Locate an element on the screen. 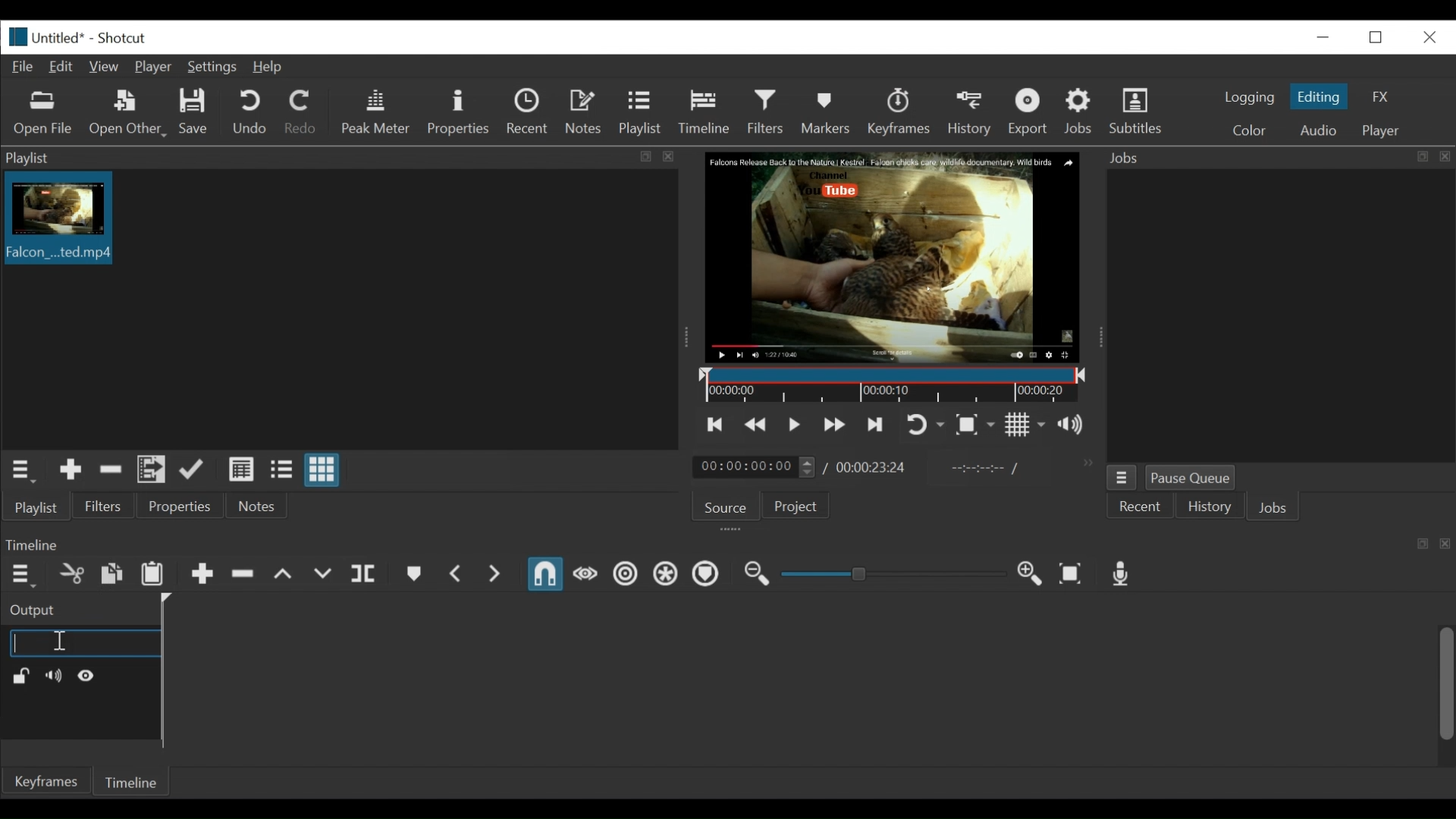  Current duration is located at coordinates (755, 468).